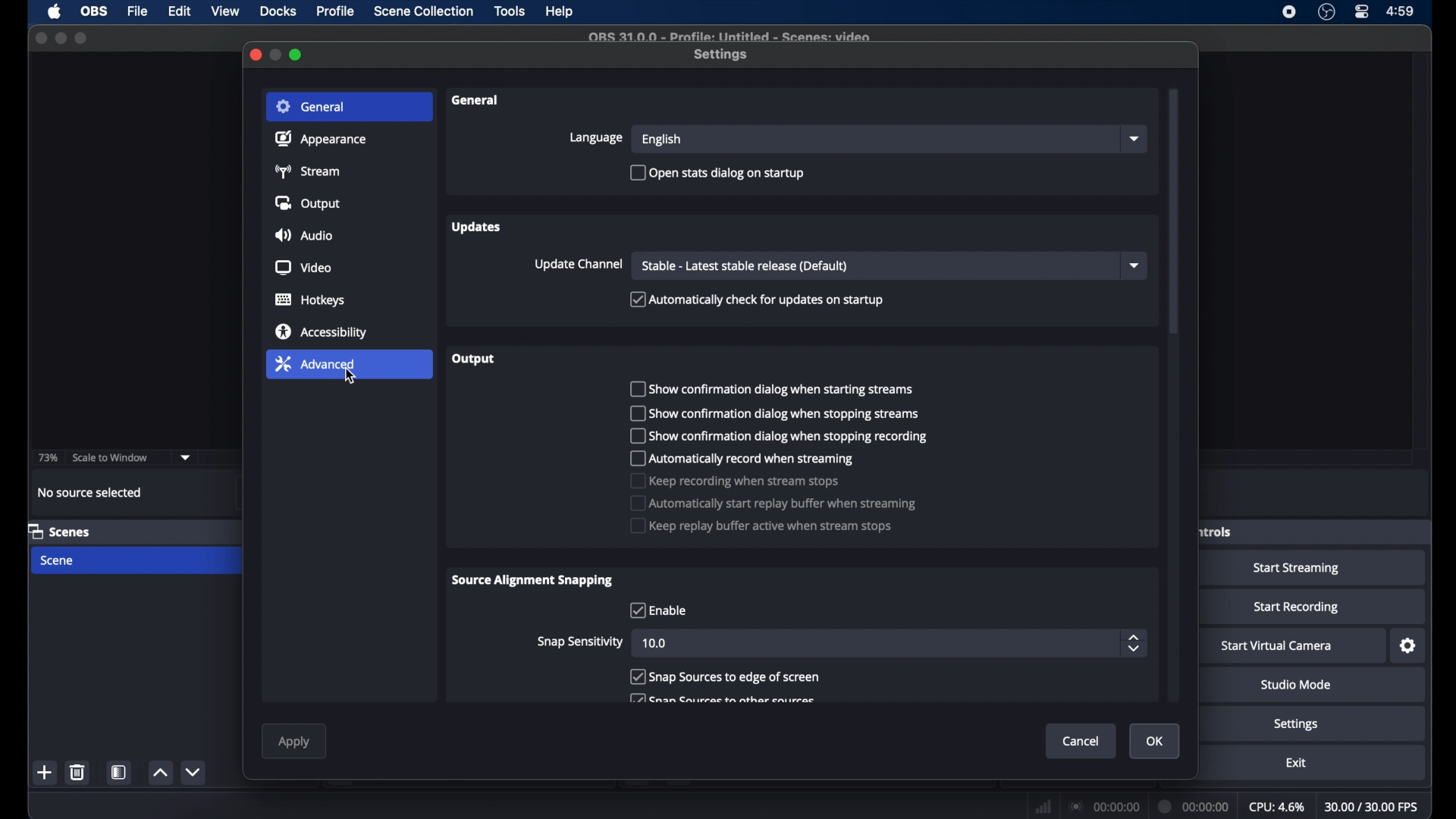 Image resolution: width=1456 pixels, height=819 pixels. What do you see at coordinates (1373, 806) in the screenshot?
I see `30.00/30.00 fps` at bounding box center [1373, 806].